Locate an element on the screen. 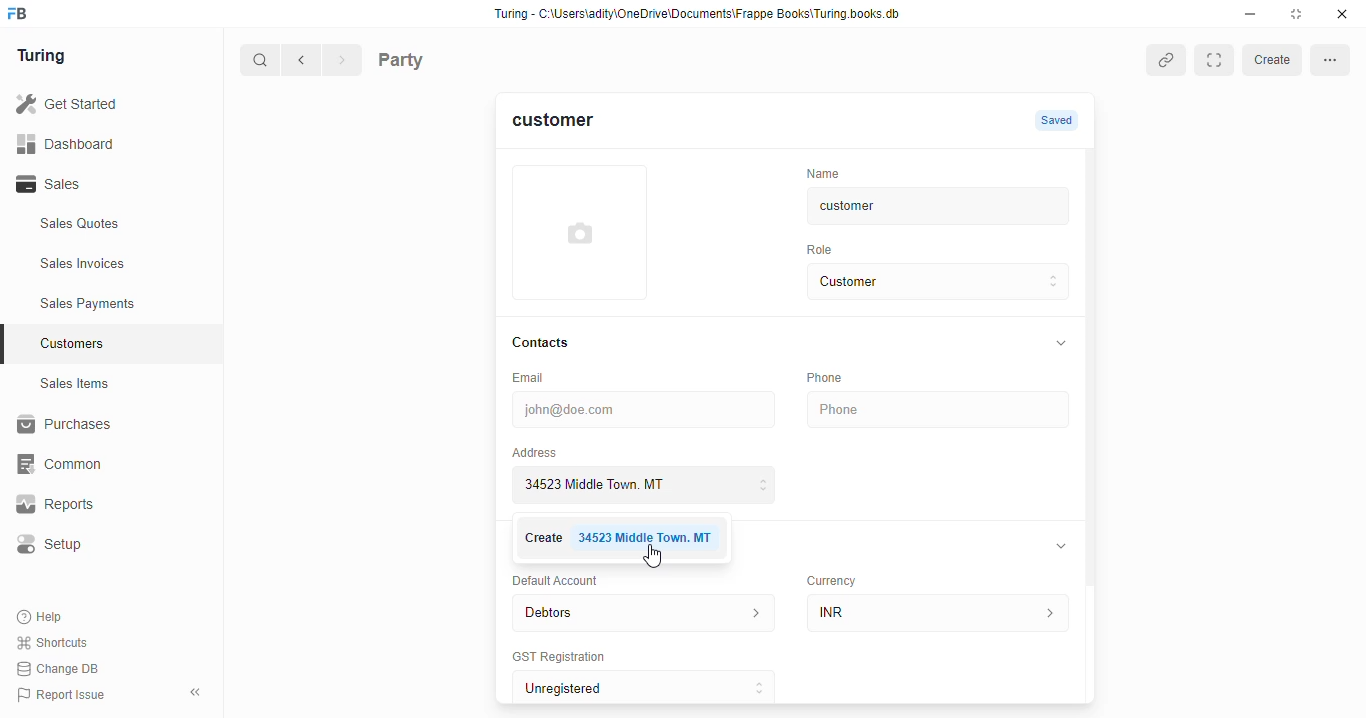  Dashboard is located at coordinates (95, 143).